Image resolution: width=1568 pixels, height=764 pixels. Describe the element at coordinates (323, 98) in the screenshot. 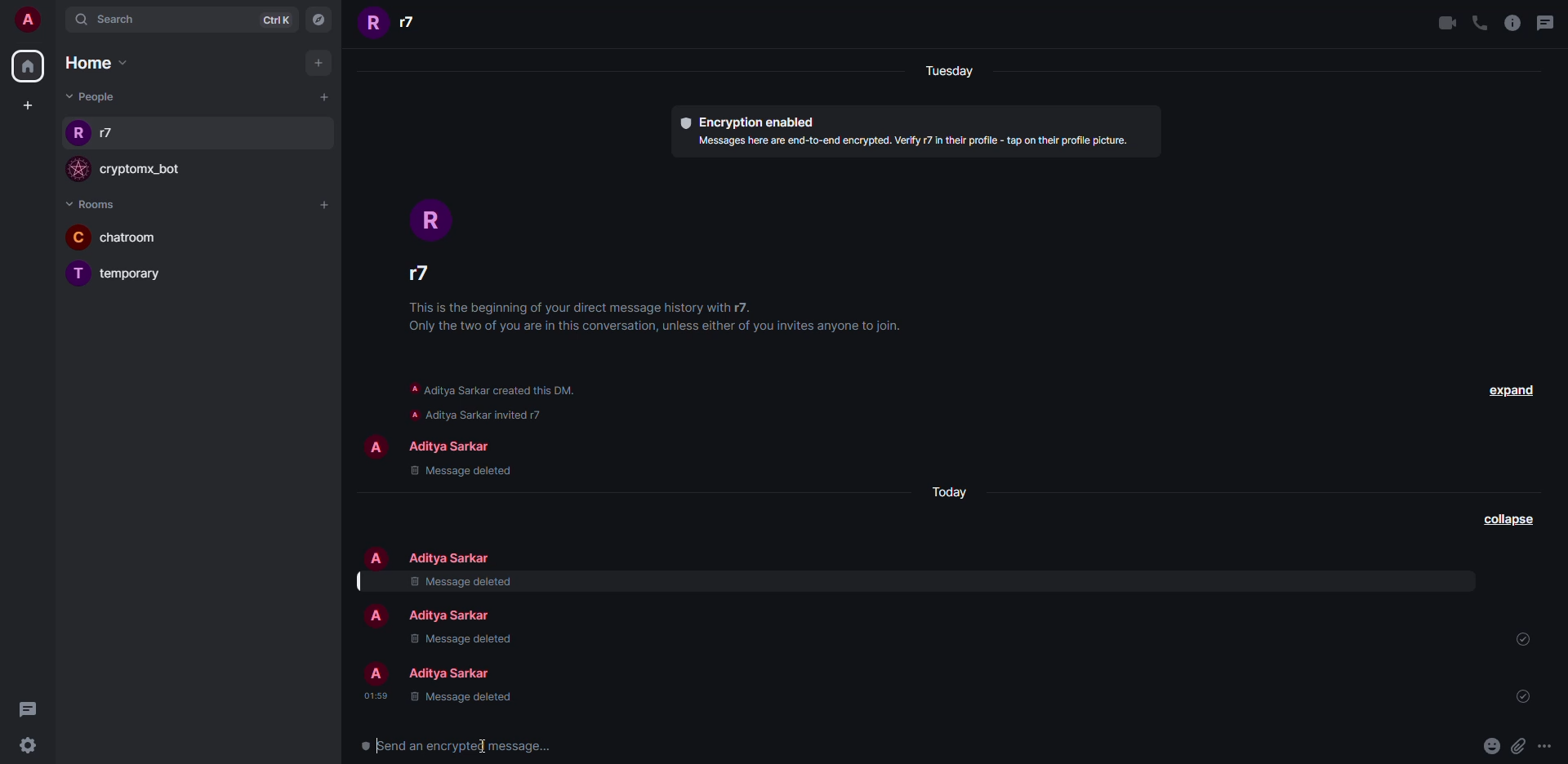

I see `add` at that location.